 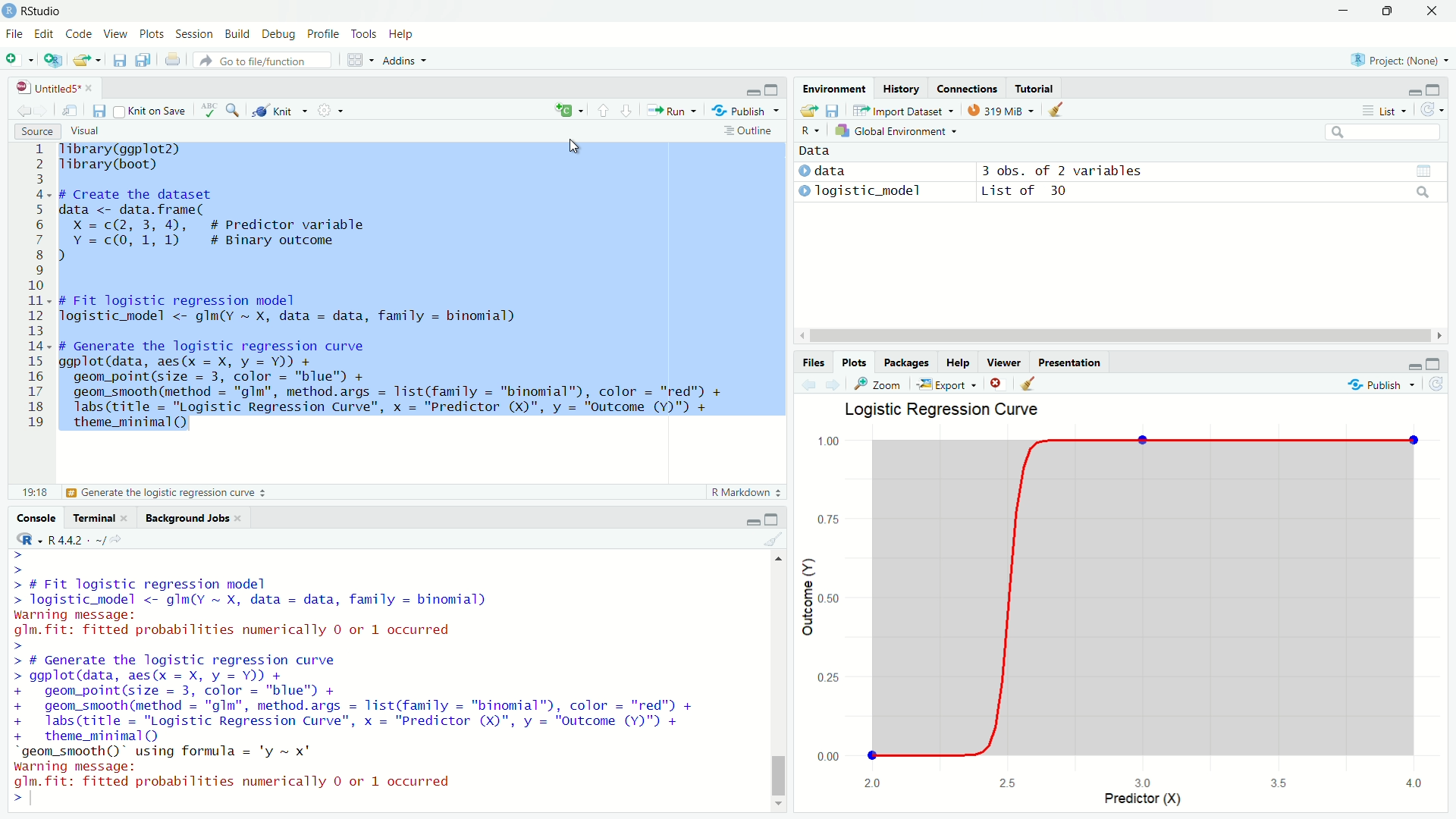 I want to click on Refresh current plot, so click(x=1436, y=384).